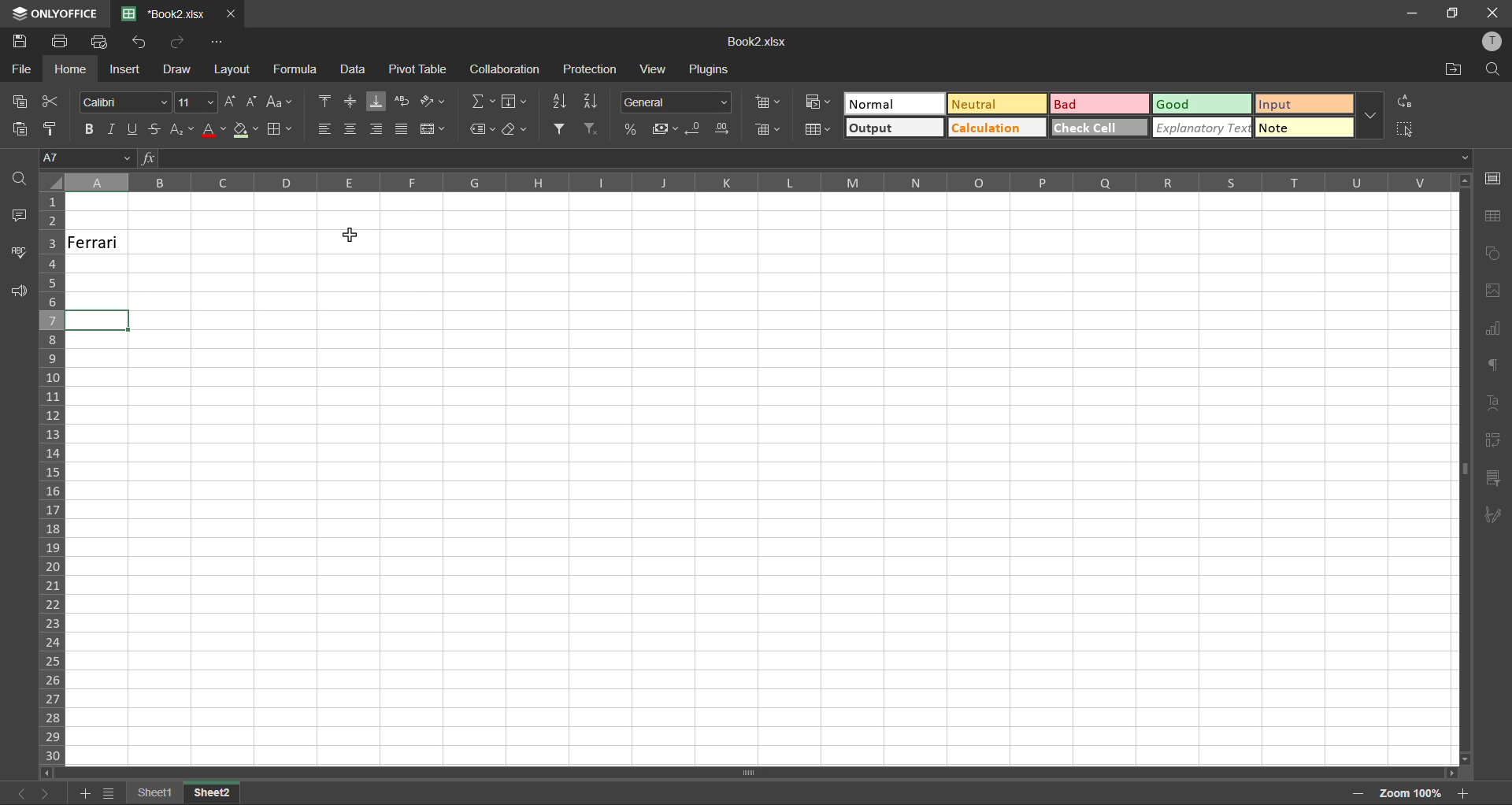  What do you see at coordinates (1492, 479) in the screenshot?
I see `slicer` at bounding box center [1492, 479].